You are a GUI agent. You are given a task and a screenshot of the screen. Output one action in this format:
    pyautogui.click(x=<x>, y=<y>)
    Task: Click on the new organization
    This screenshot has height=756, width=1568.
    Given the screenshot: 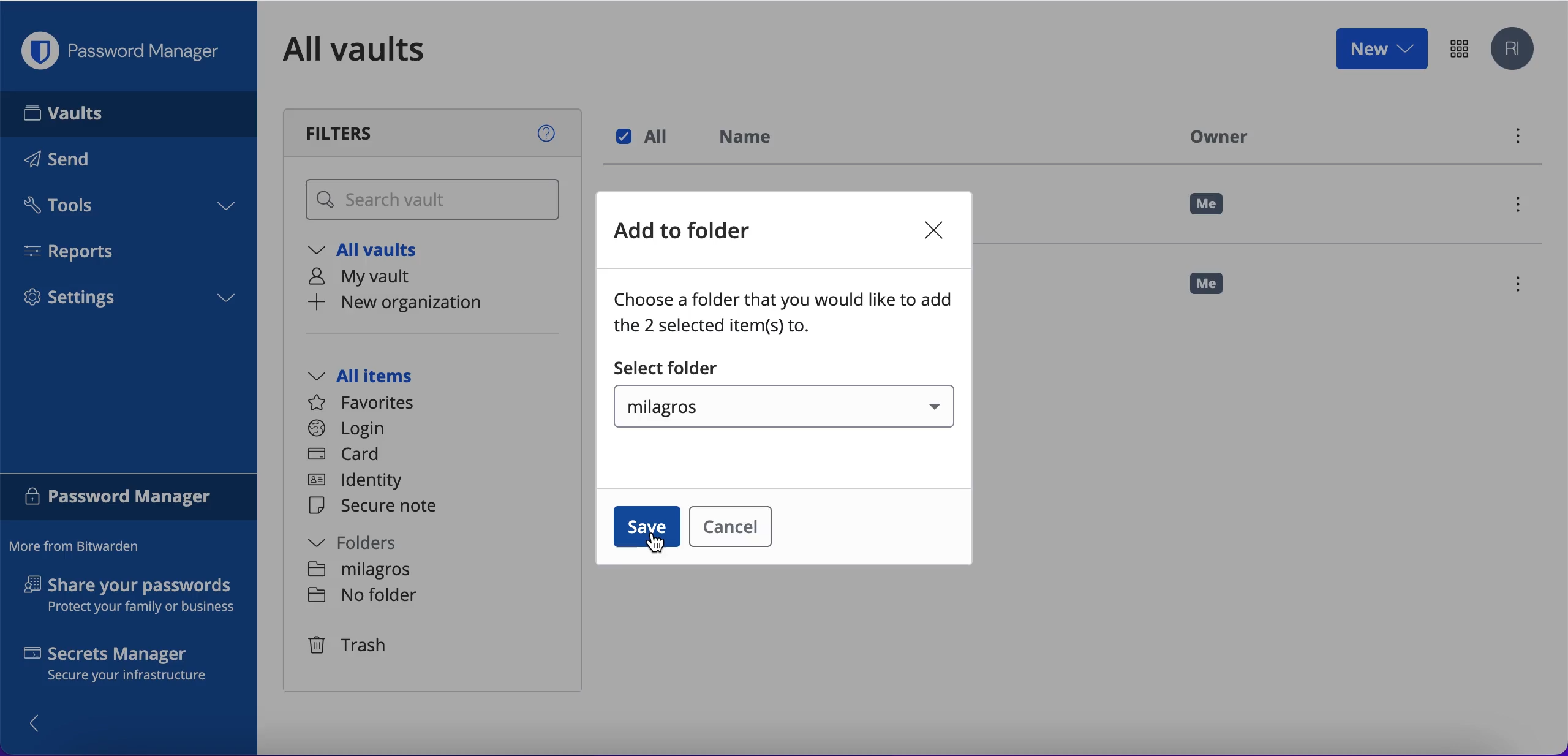 What is the action you would take?
    pyautogui.click(x=420, y=303)
    